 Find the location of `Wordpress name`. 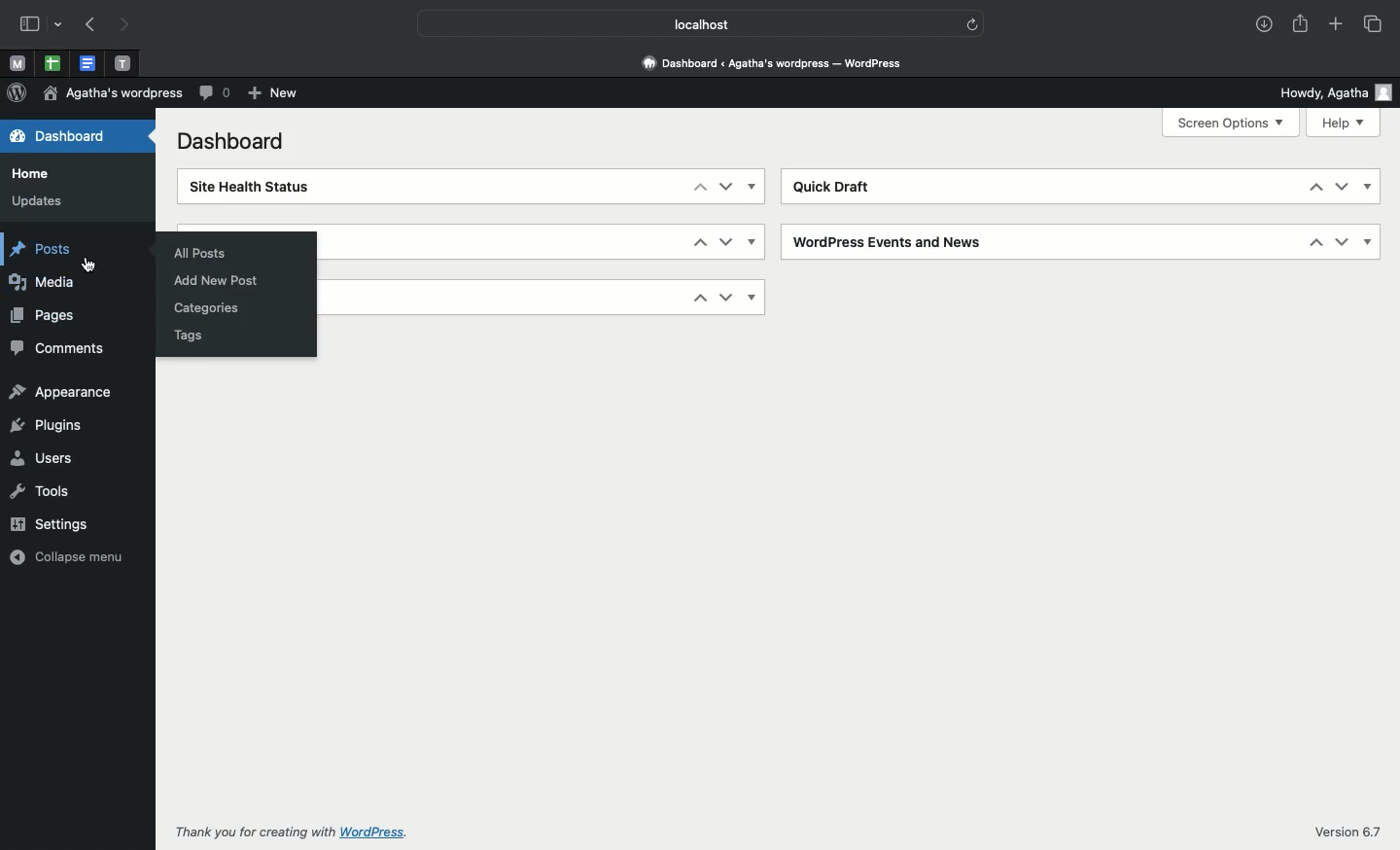

Wordpress name is located at coordinates (112, 93).